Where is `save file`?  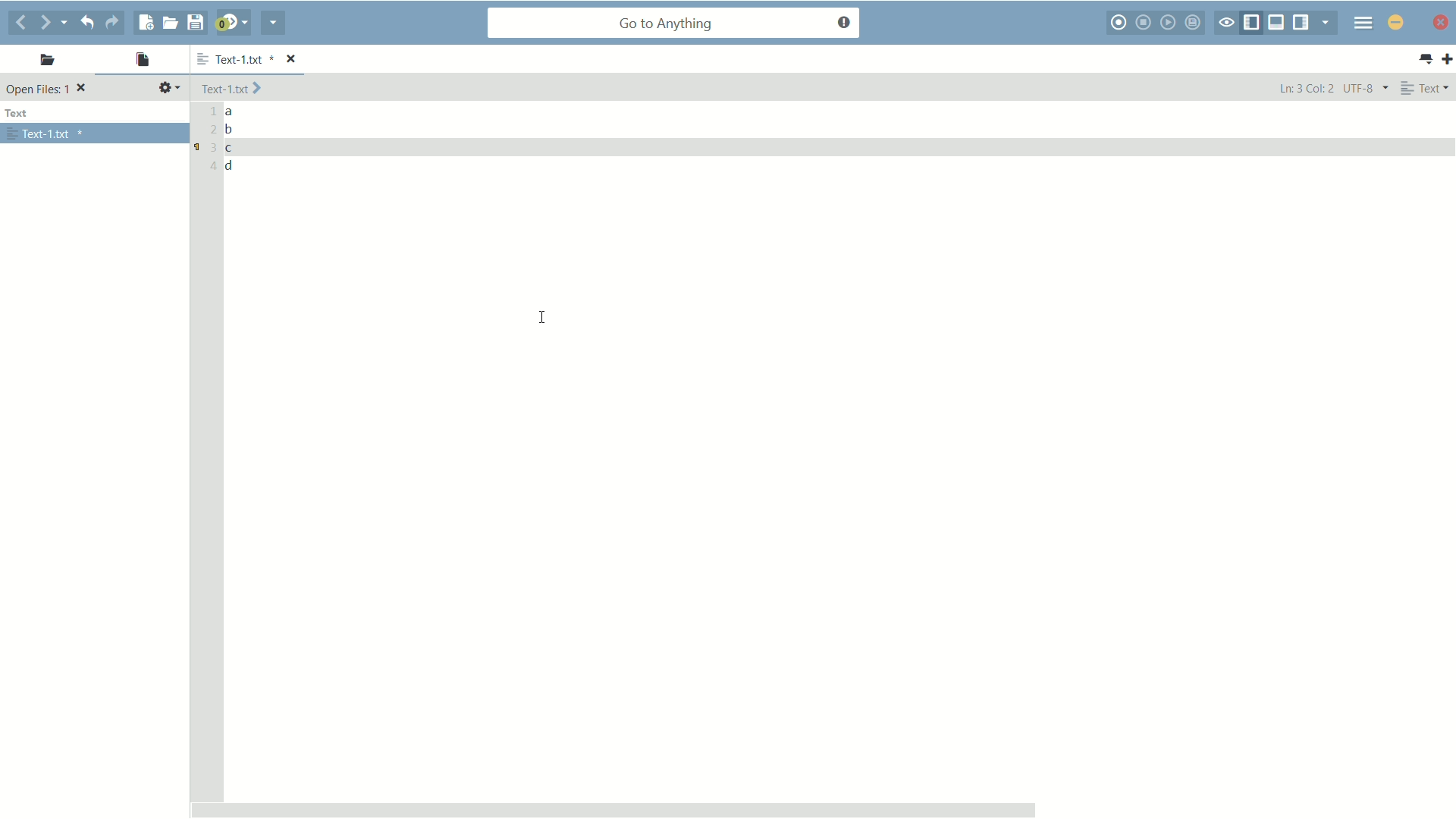 save file is located at coordinates (198, 22).